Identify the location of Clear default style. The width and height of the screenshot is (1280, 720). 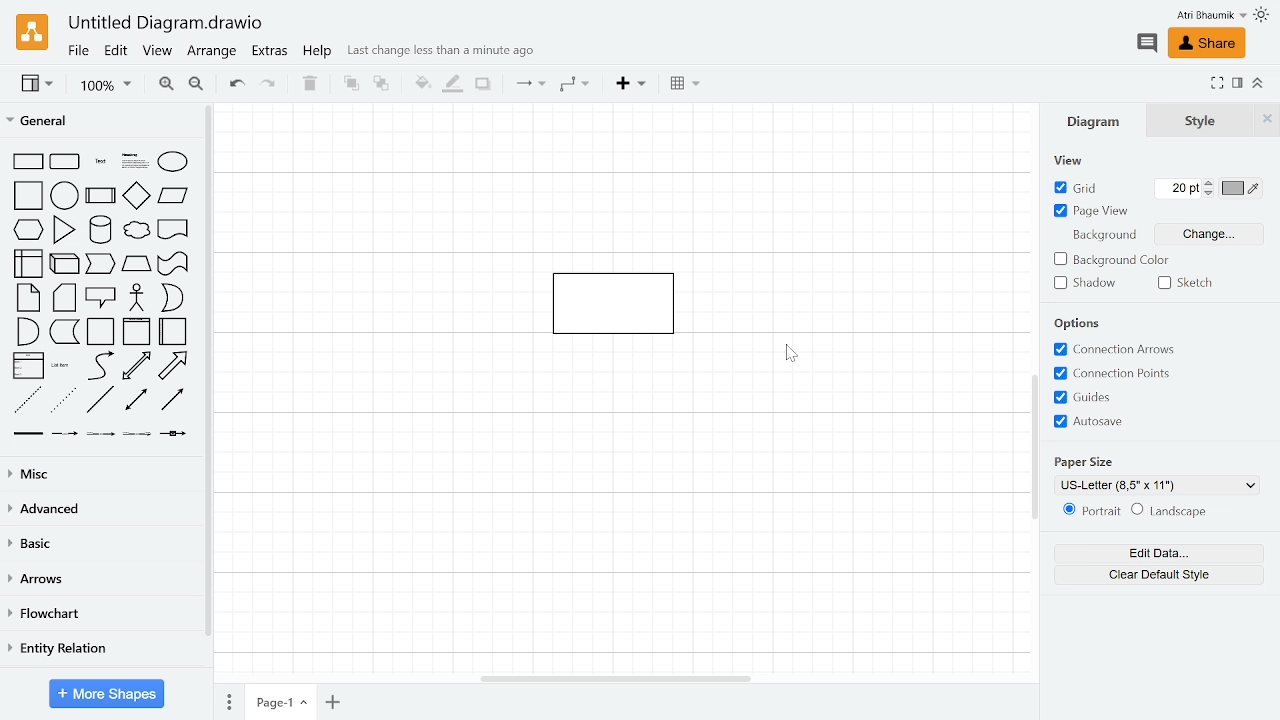
(1159, 574).